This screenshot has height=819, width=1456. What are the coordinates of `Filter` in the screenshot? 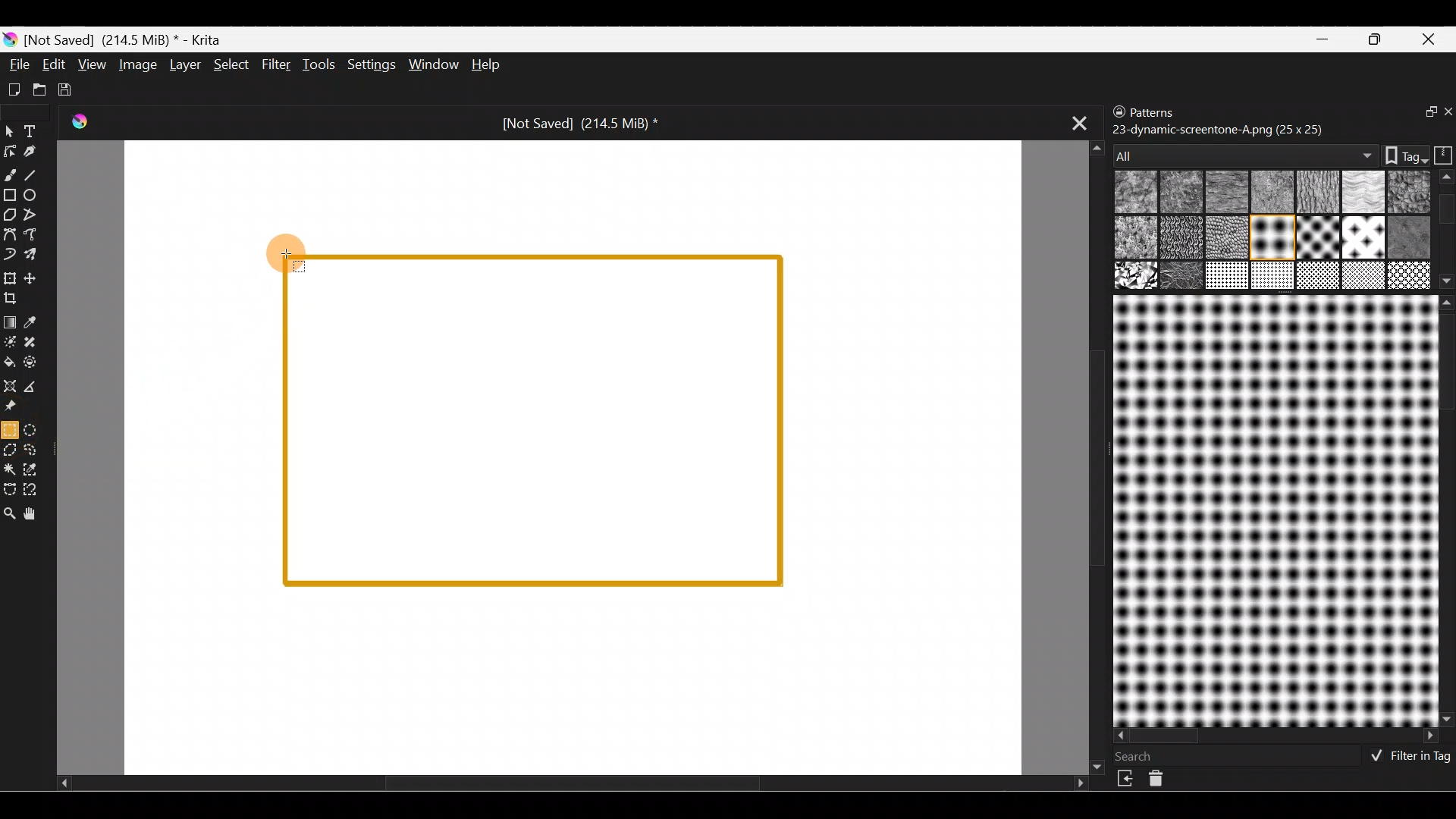 It's located at (276, 63).